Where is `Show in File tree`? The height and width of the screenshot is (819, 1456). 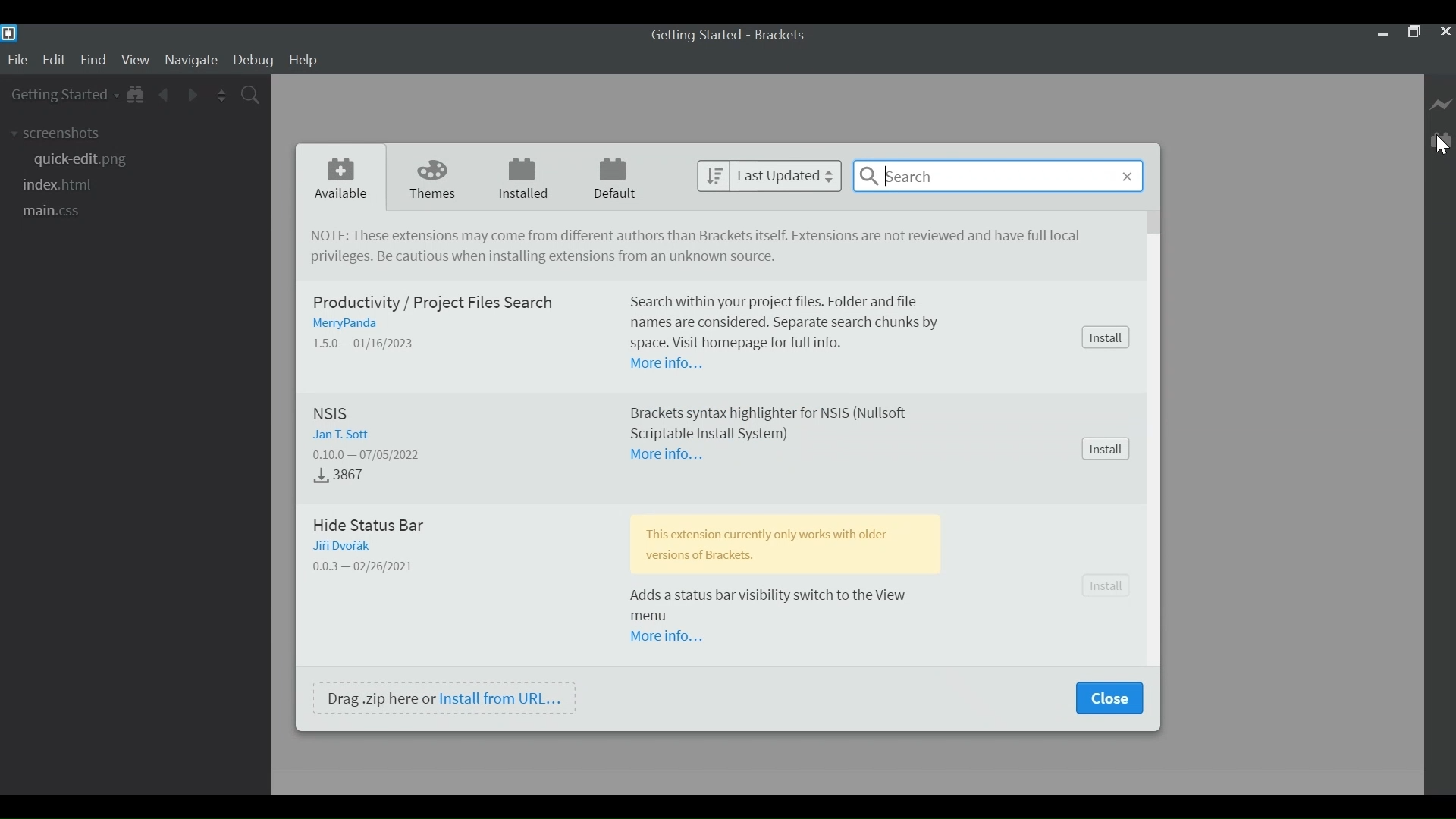 Show in File tree is located at coordinates (136, 96).